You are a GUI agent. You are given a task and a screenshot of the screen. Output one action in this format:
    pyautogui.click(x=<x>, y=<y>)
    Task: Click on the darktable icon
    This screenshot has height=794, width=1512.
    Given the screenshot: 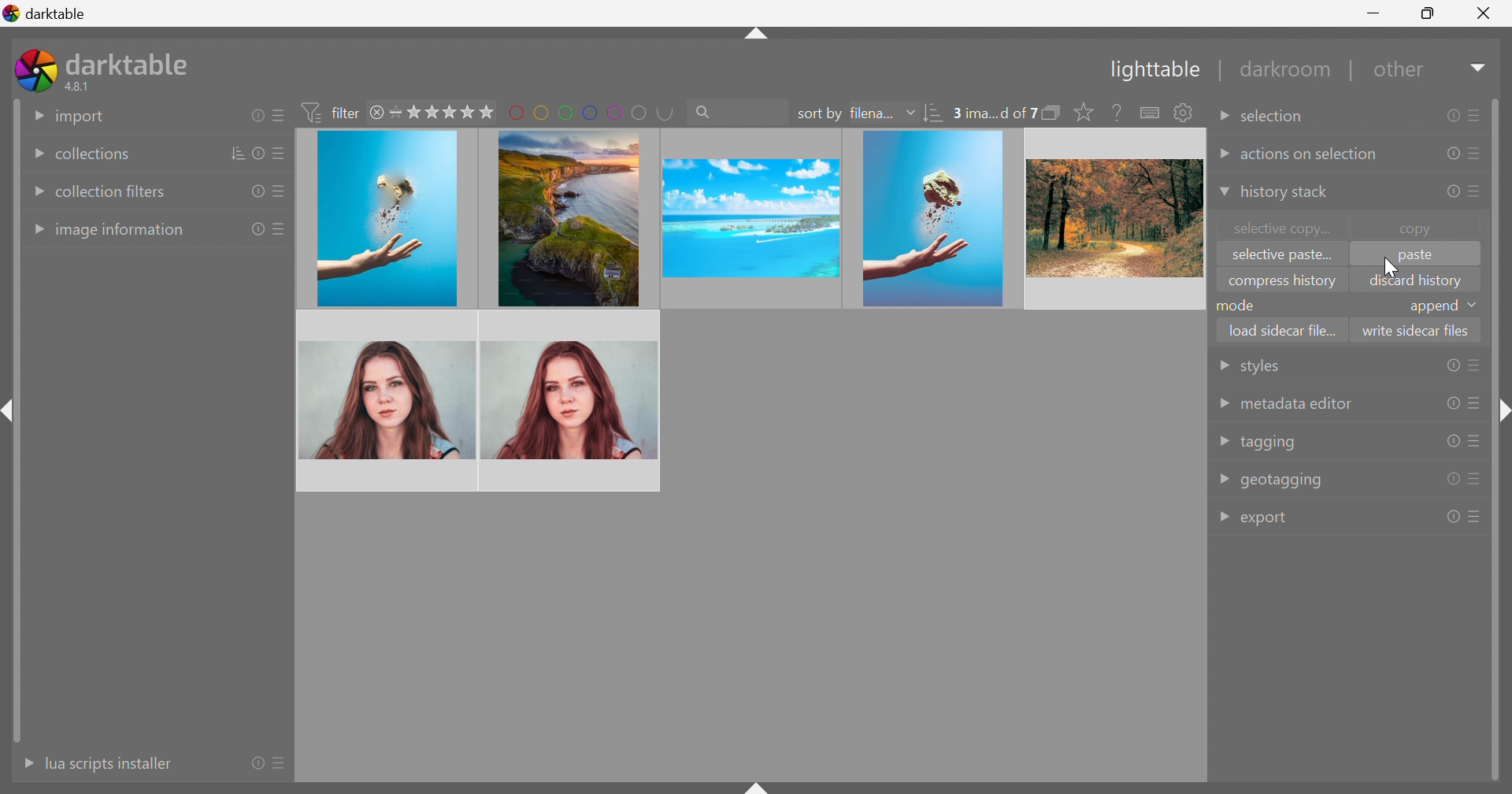 What is the action you would take?
    pyautogui.click(x=35, y=70)
    